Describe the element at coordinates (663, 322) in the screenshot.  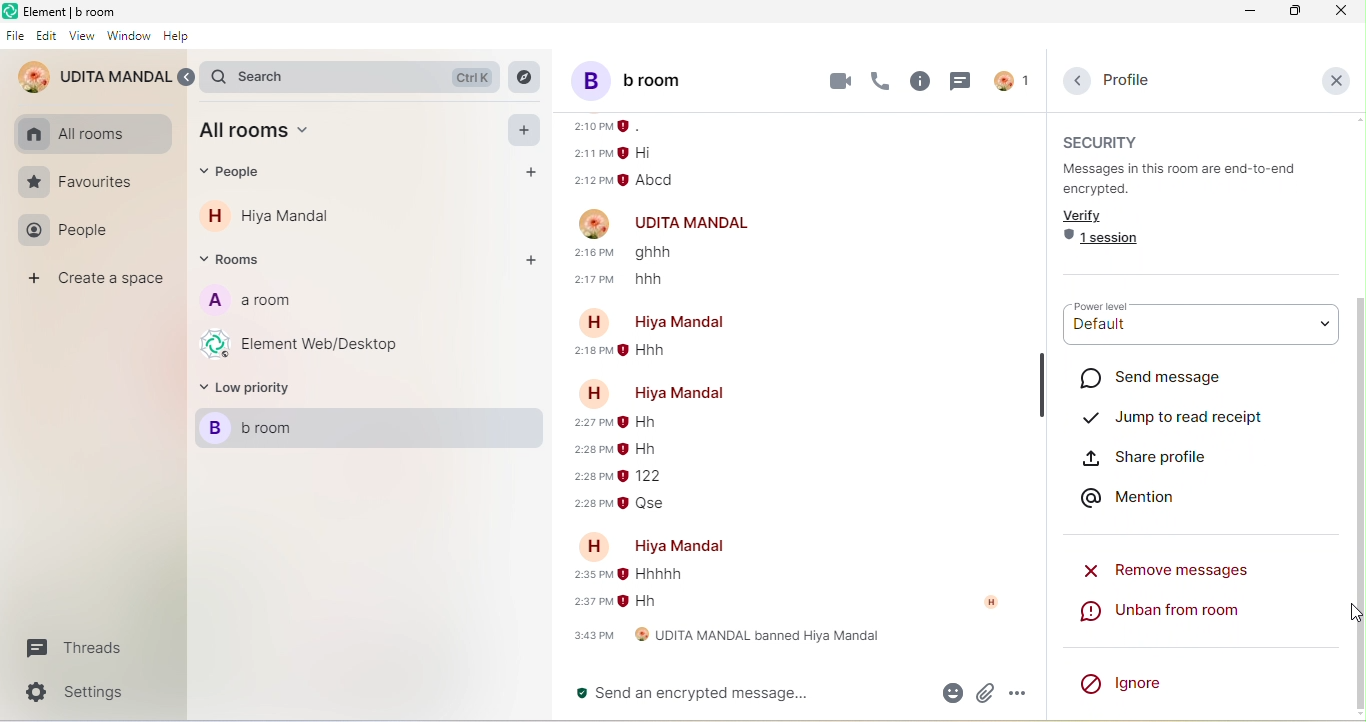
I see `account name-hiya mandal` at that location.